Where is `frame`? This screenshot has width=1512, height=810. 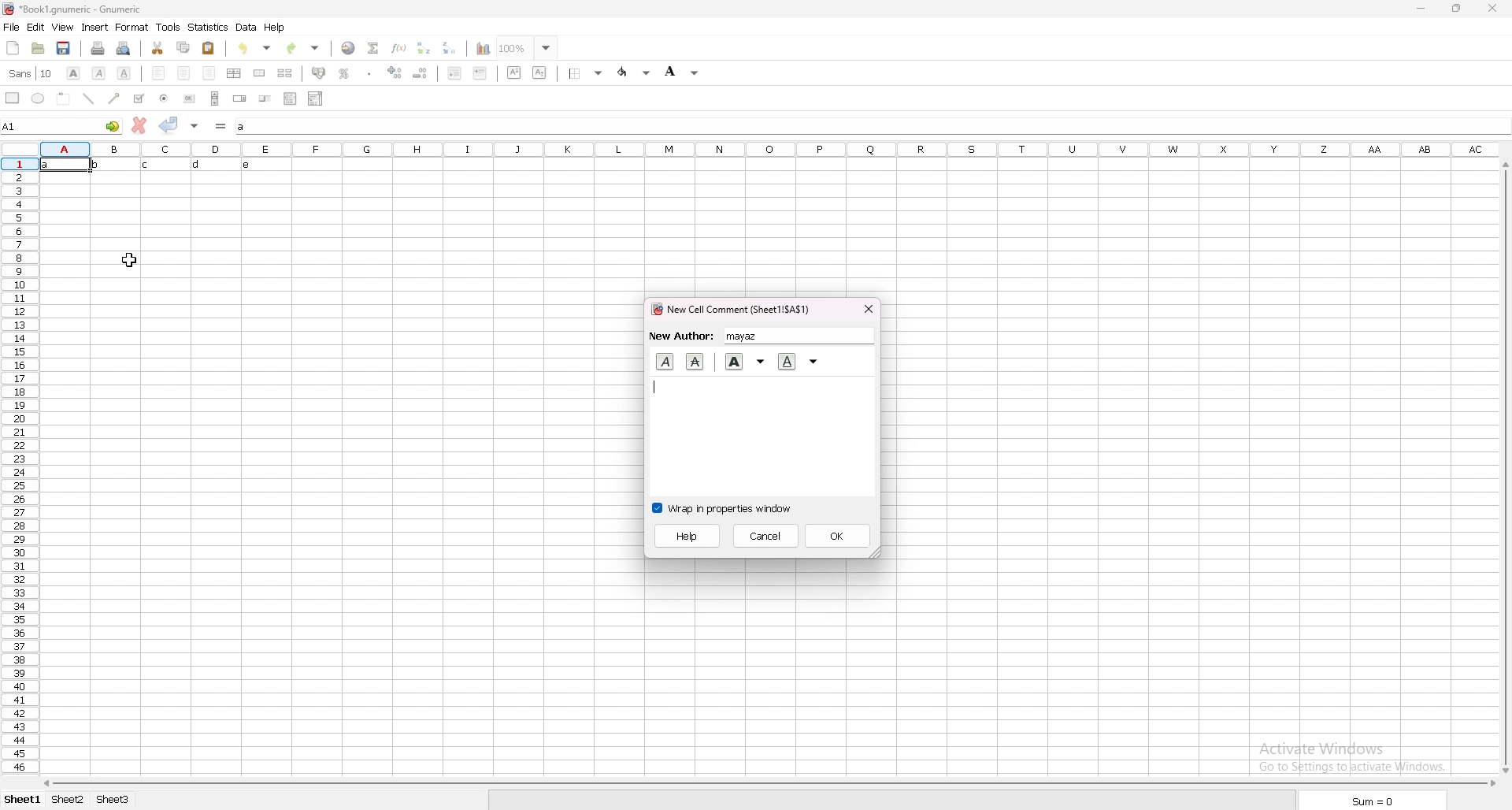
frame is located at coordinates (65, 98).